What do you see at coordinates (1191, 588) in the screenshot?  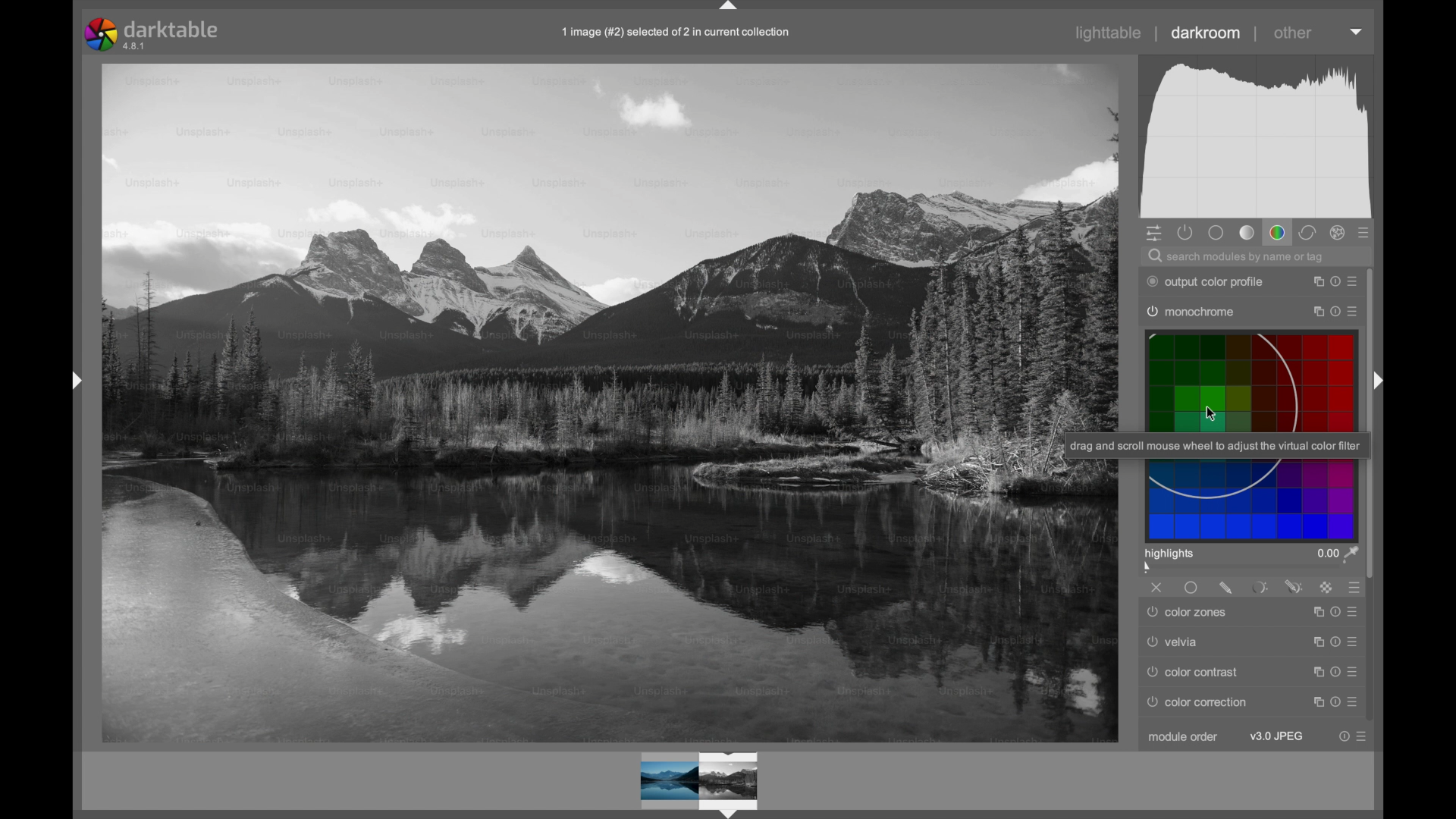 I see `uniformly` at bounding box center [1191, 588].